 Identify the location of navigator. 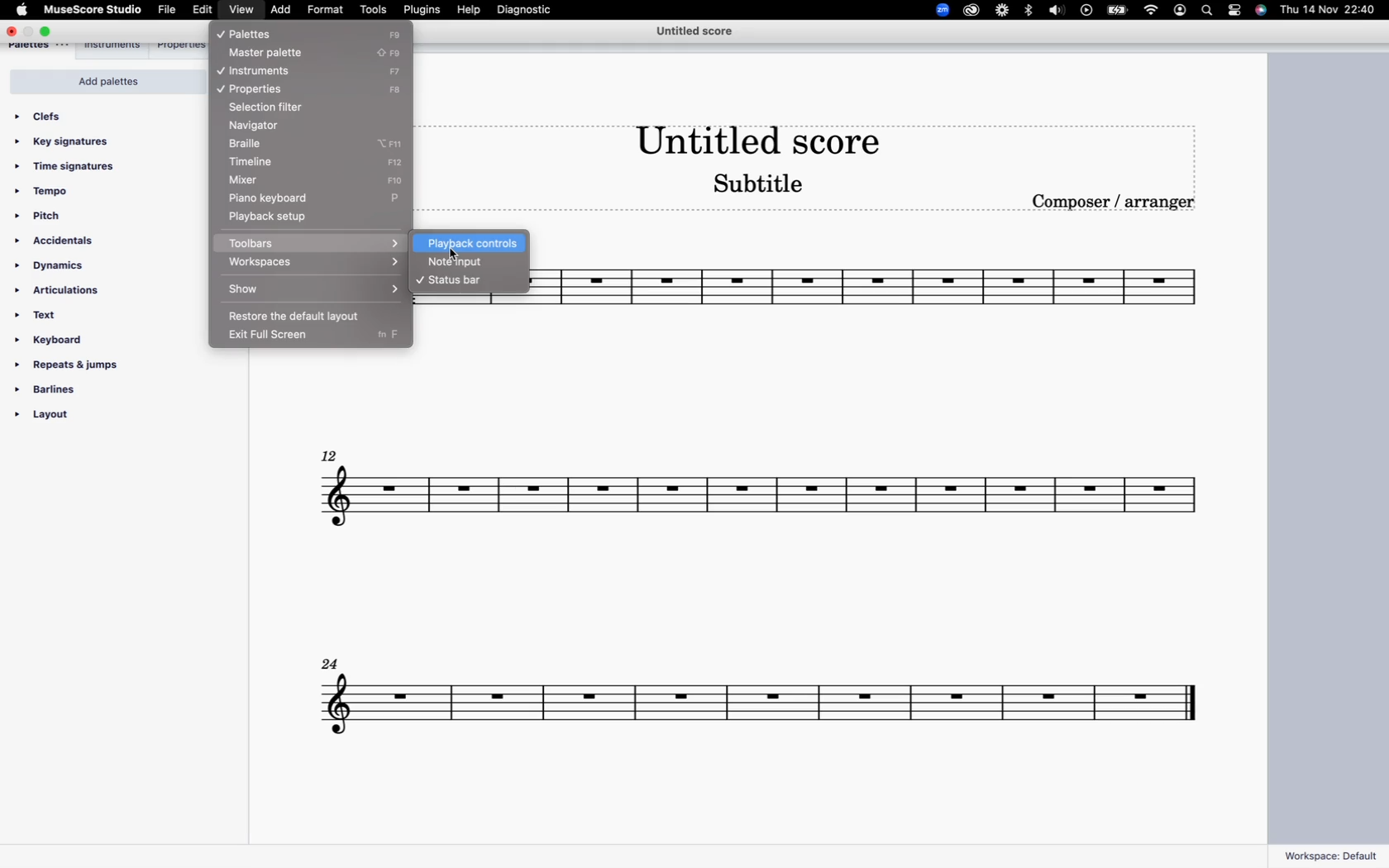
(270, 125).